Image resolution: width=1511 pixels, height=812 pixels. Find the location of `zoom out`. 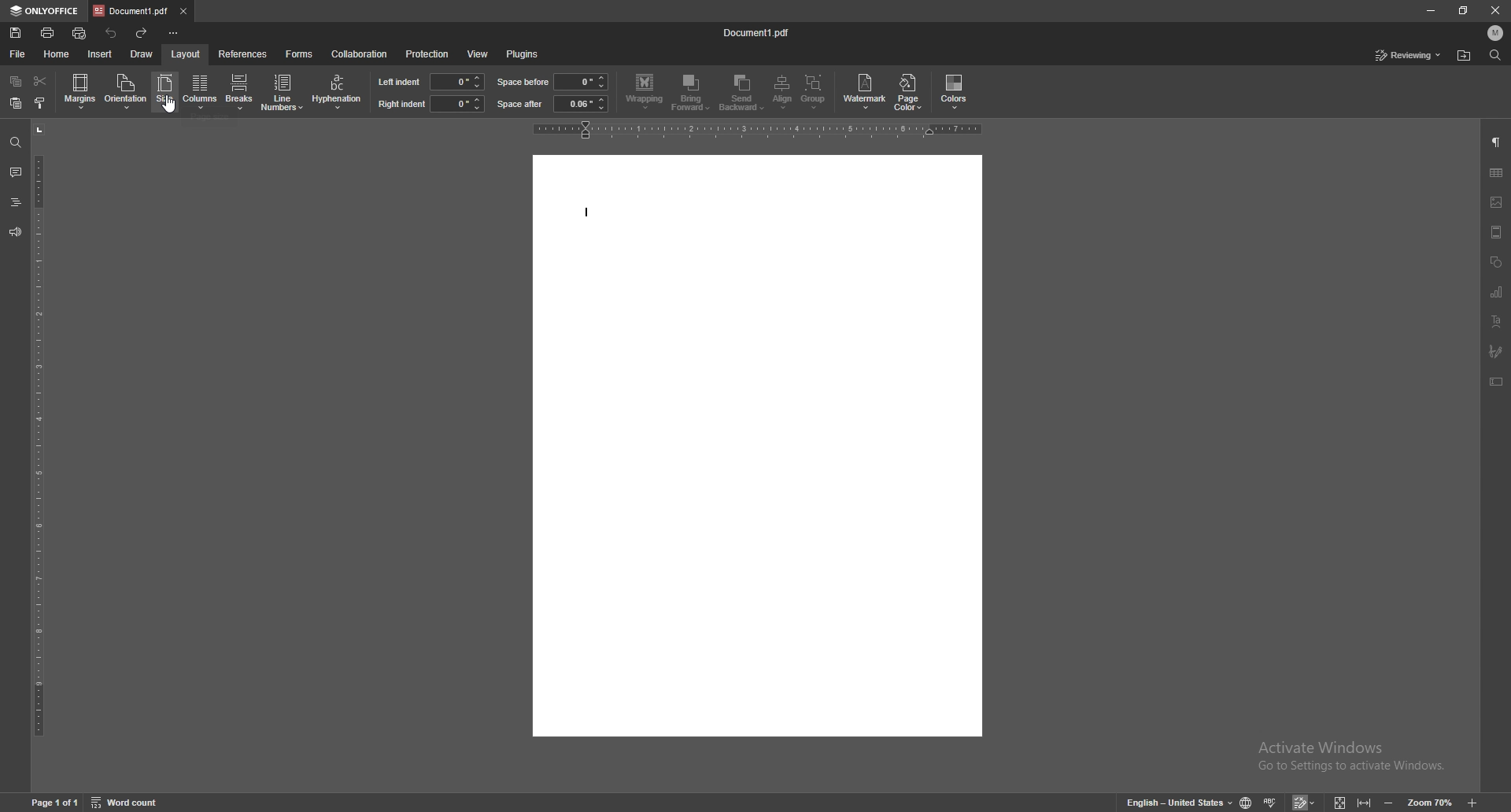

zoom out is located at coordinates (1389, 803).